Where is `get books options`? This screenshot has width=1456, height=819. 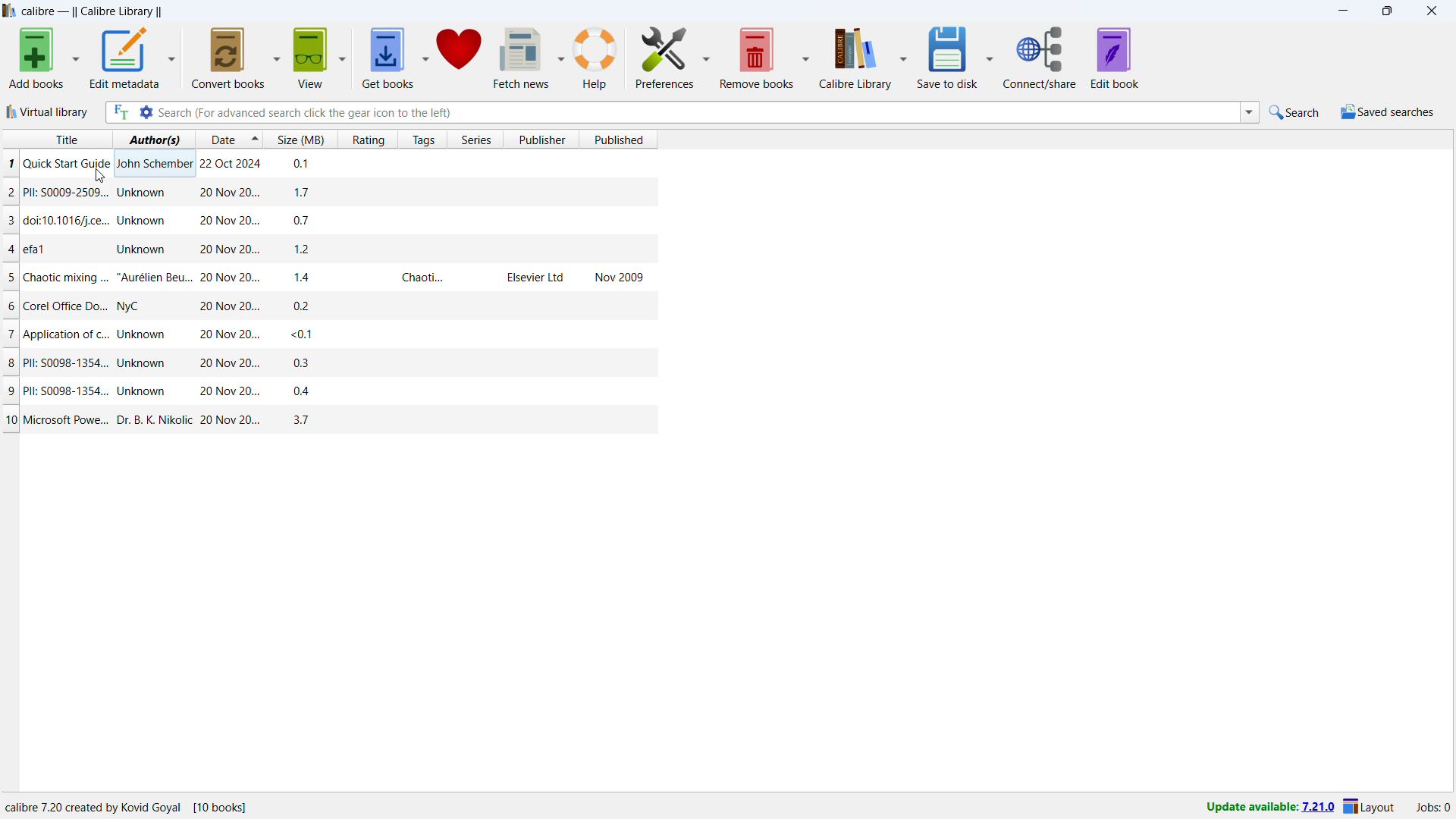
get books options is located at coordinates (425, 57).